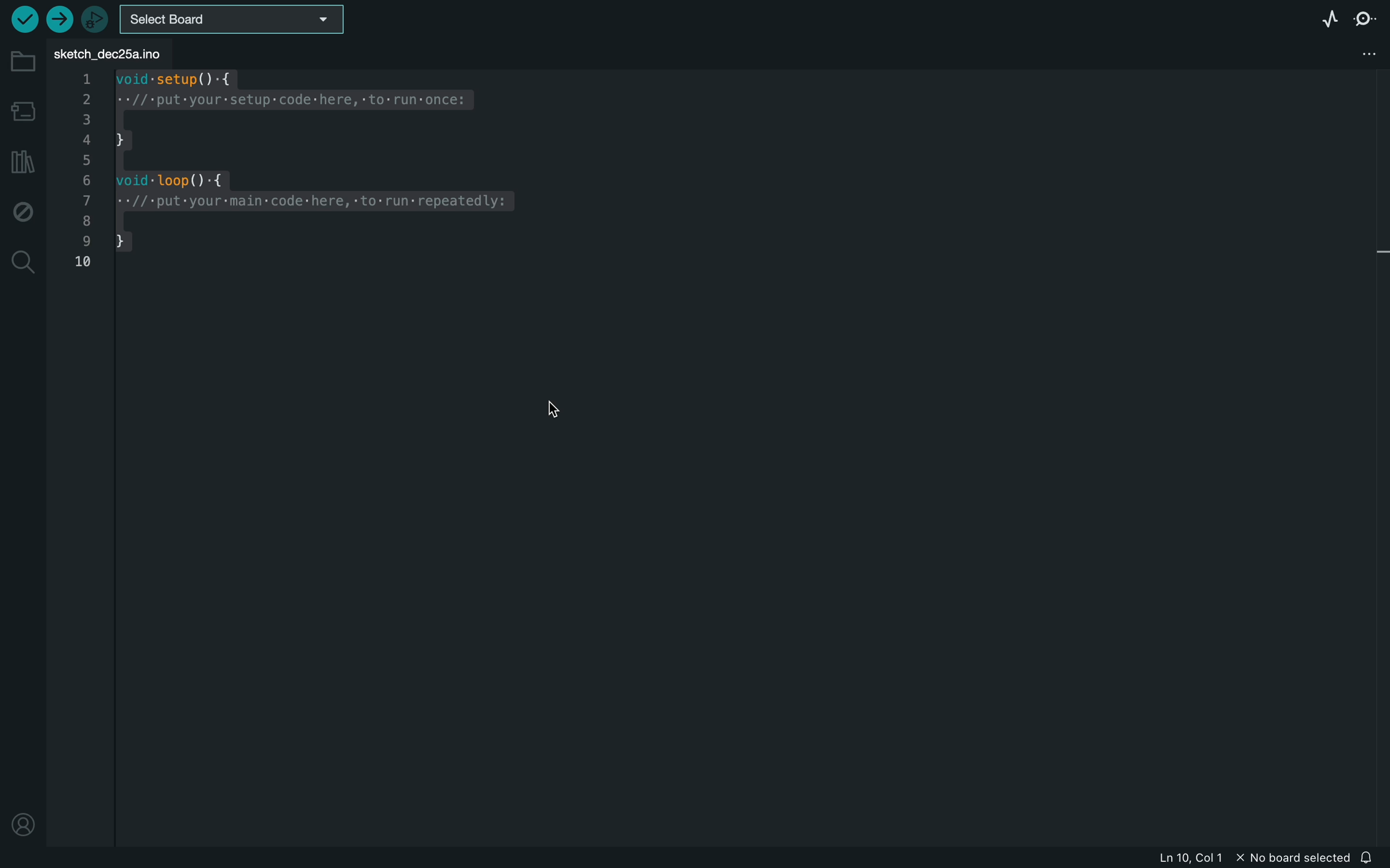 This screenshot has height=868, width=1390. What do you see at coordinates (1237, 859) in the screenshot?
I see `file  infomation` at bounding box center [1237, 859].